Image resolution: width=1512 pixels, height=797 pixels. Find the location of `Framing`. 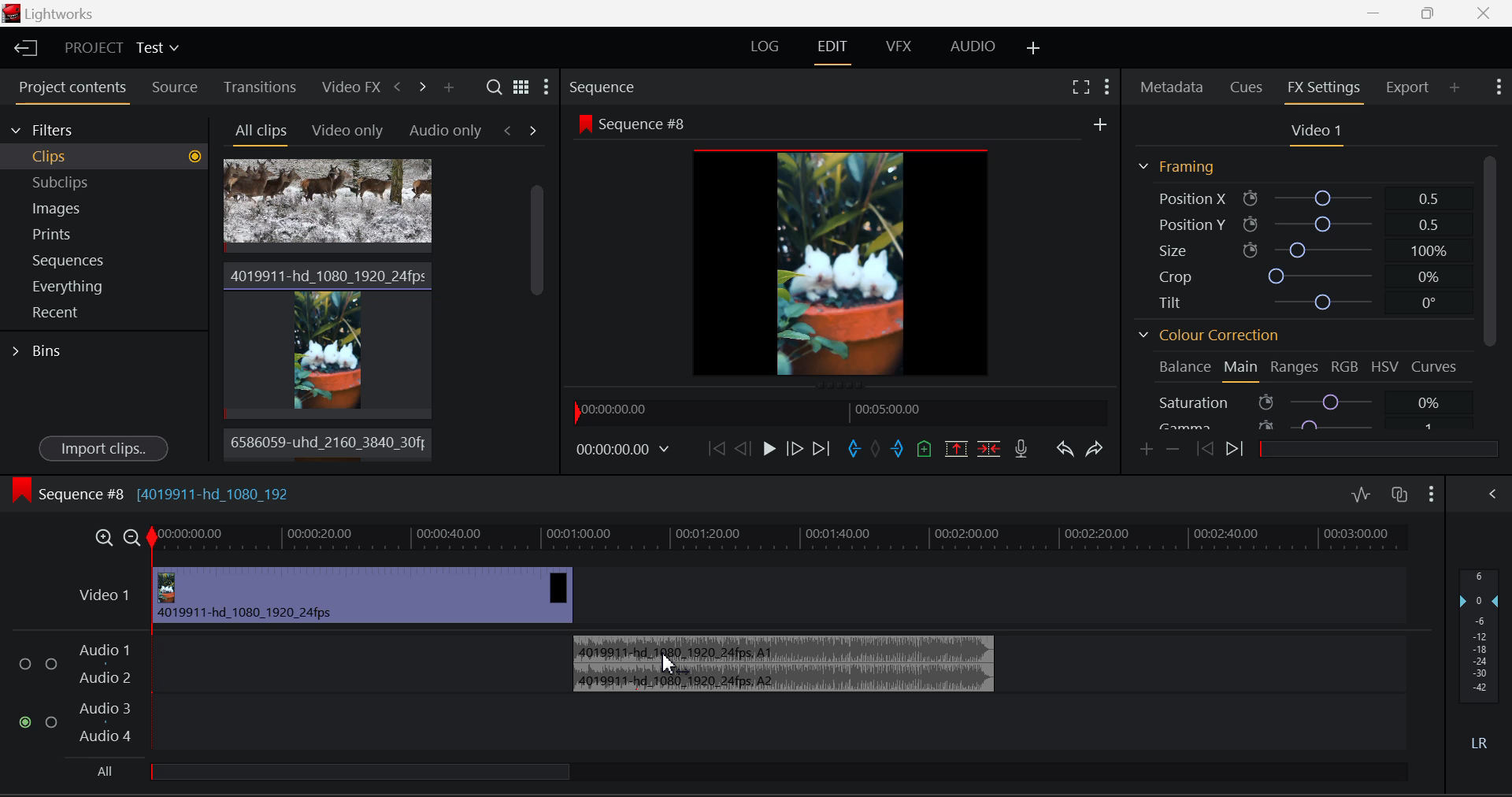

Framing is located at coordinates (1177, 166).